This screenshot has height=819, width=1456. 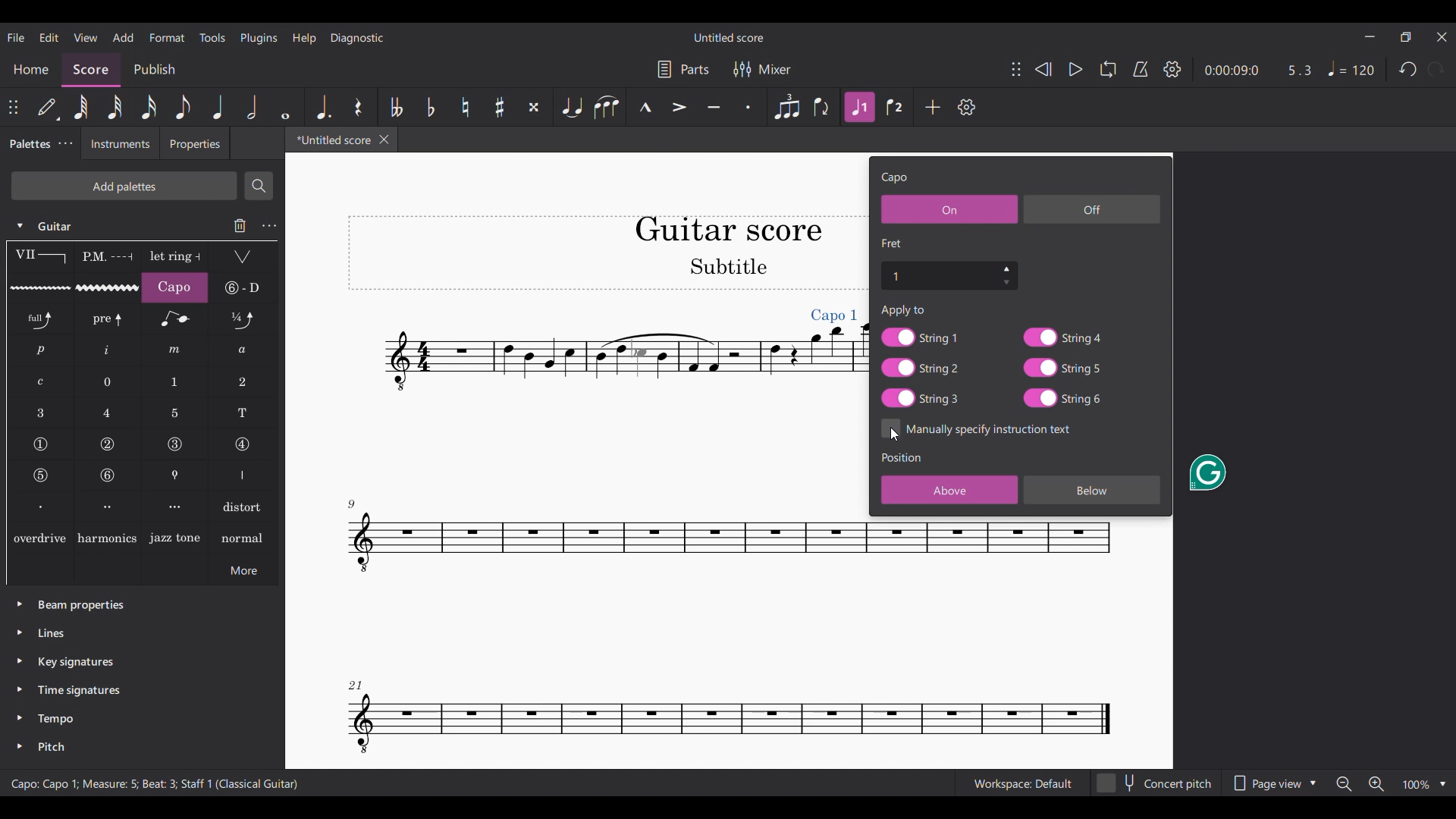 I want to click on Right hand fingering thumb, so click(x=243, y=475).